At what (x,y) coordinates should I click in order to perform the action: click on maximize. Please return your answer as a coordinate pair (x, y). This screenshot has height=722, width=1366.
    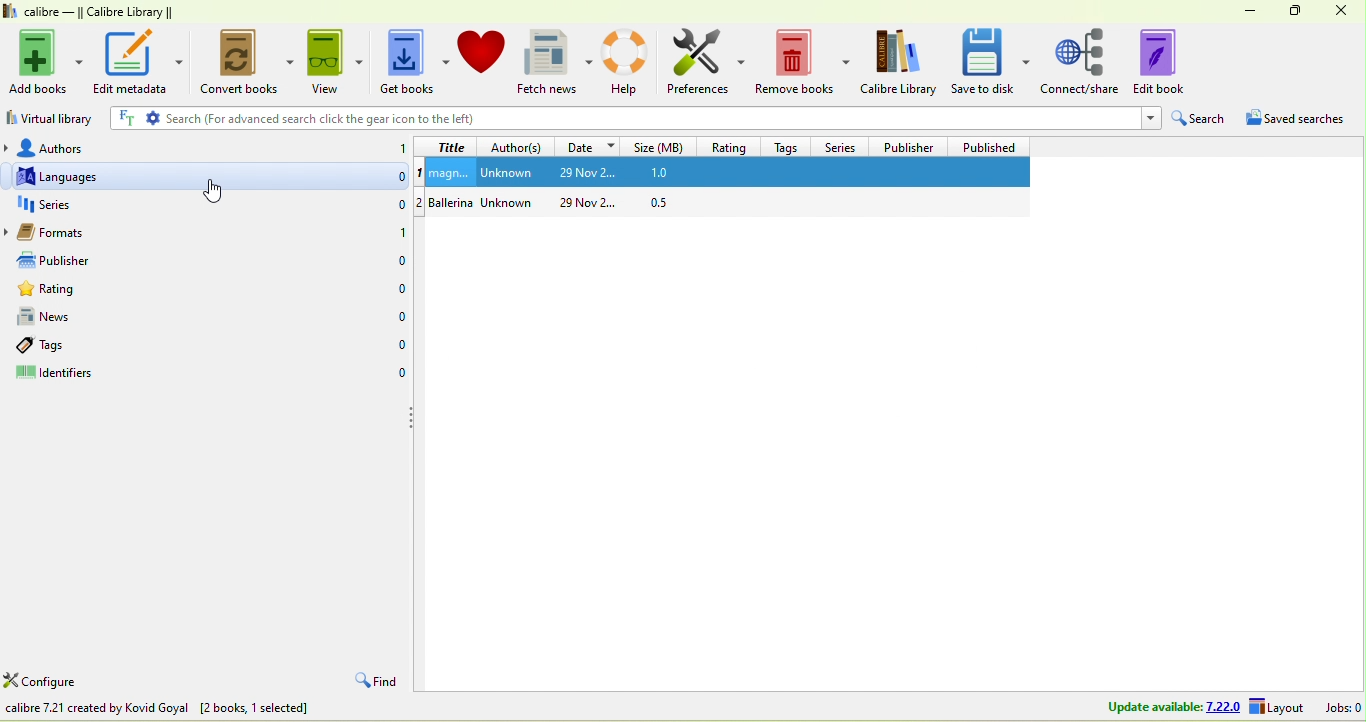
    Looking at the image, I should click on (1296, 12).